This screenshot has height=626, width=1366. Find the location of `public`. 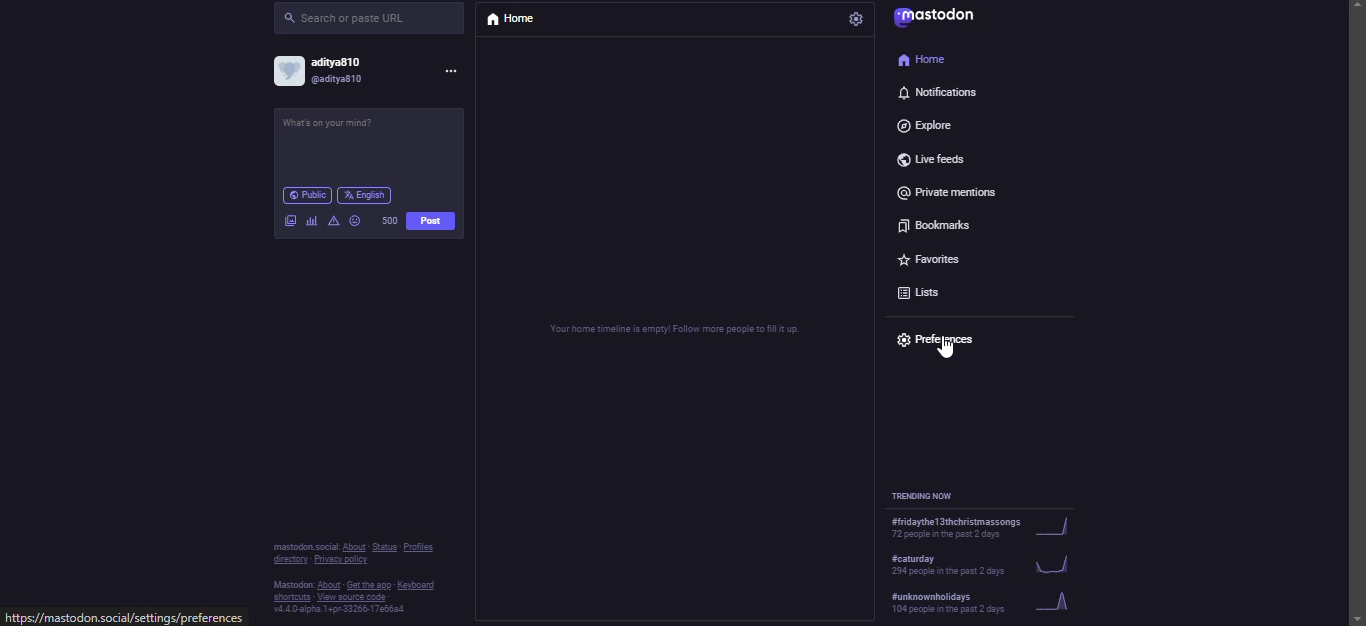

public is located at coordinates (305, 194).